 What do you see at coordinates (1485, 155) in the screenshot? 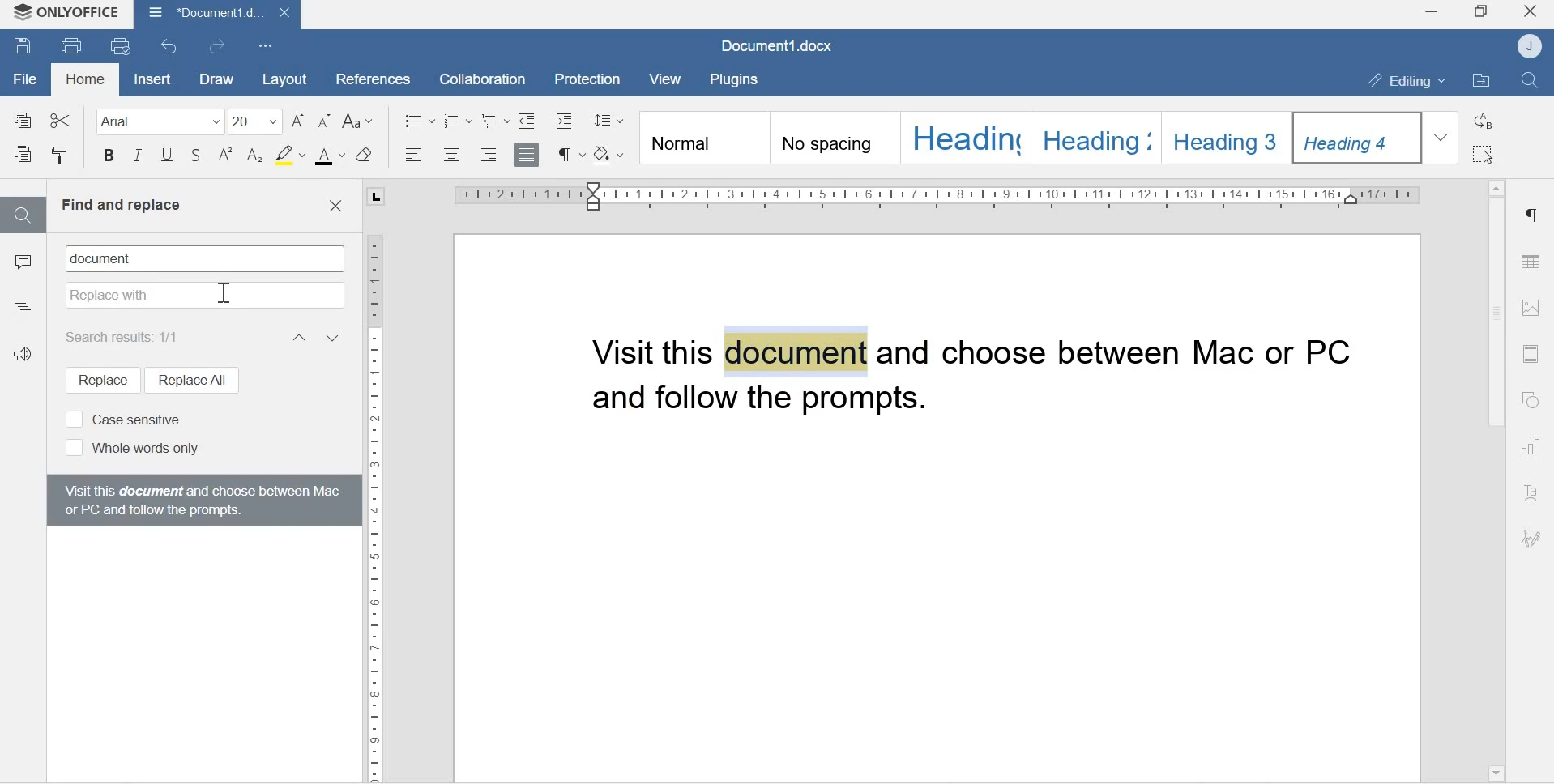
I see `Select all` at bounding box center [1485, 155].